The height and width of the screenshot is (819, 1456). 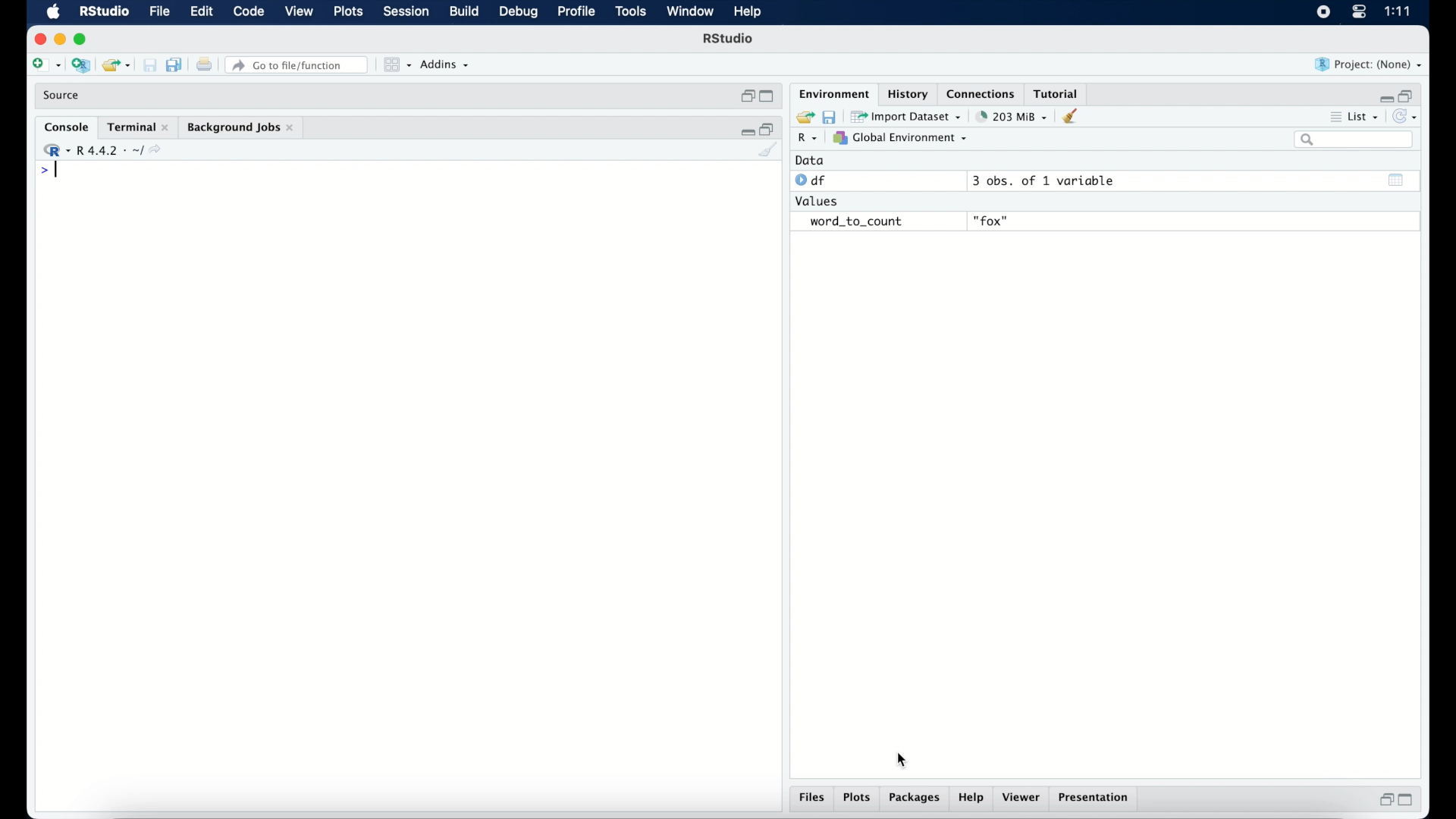 I want to click on help, so click(x=973, y=799).